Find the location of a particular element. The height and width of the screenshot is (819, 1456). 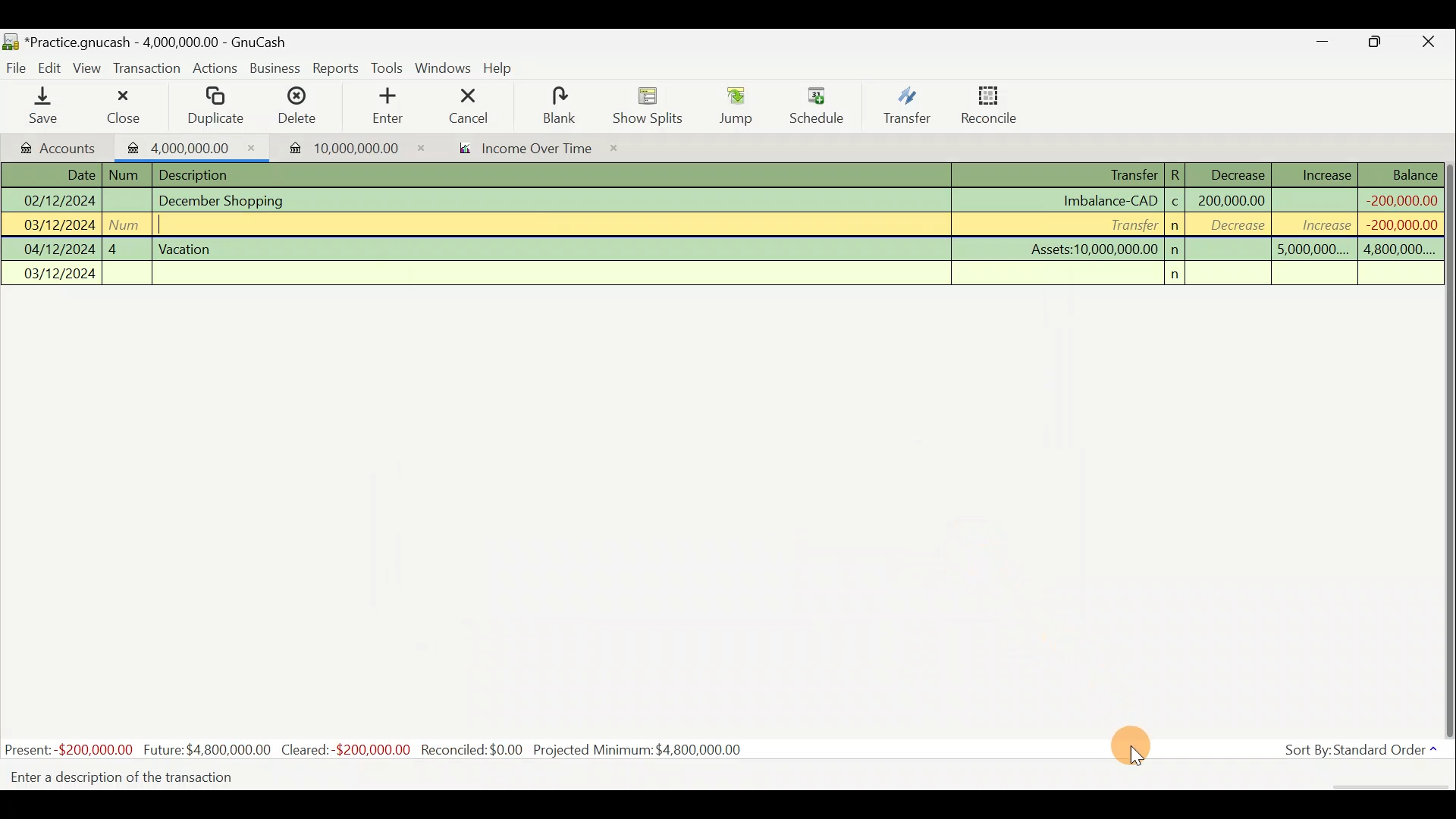

02/12/2024 is located at coordinates (58, 199).